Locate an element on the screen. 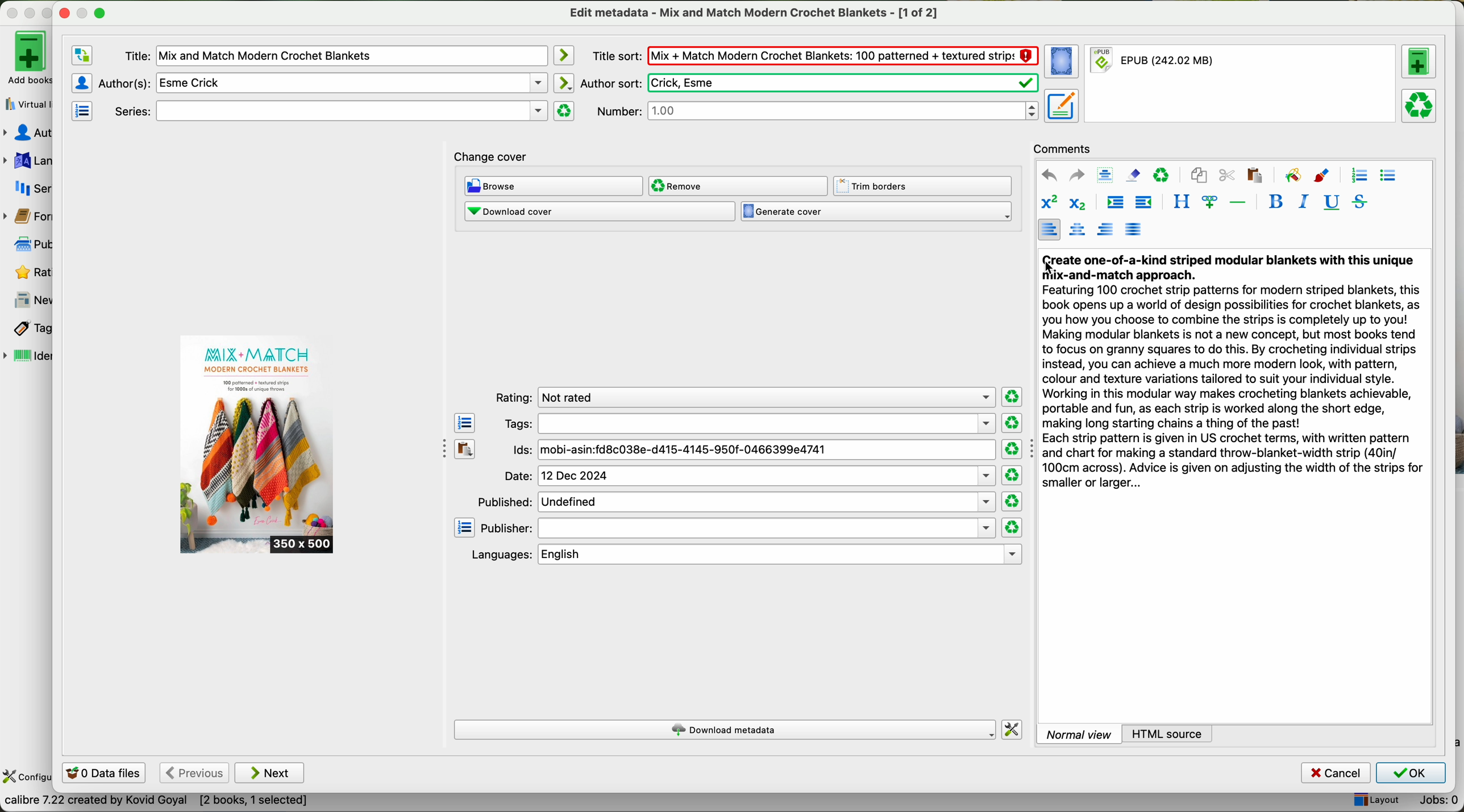 The height and width of the screenshot is (812, 1464). OK is located at coordinates (1410, 773).